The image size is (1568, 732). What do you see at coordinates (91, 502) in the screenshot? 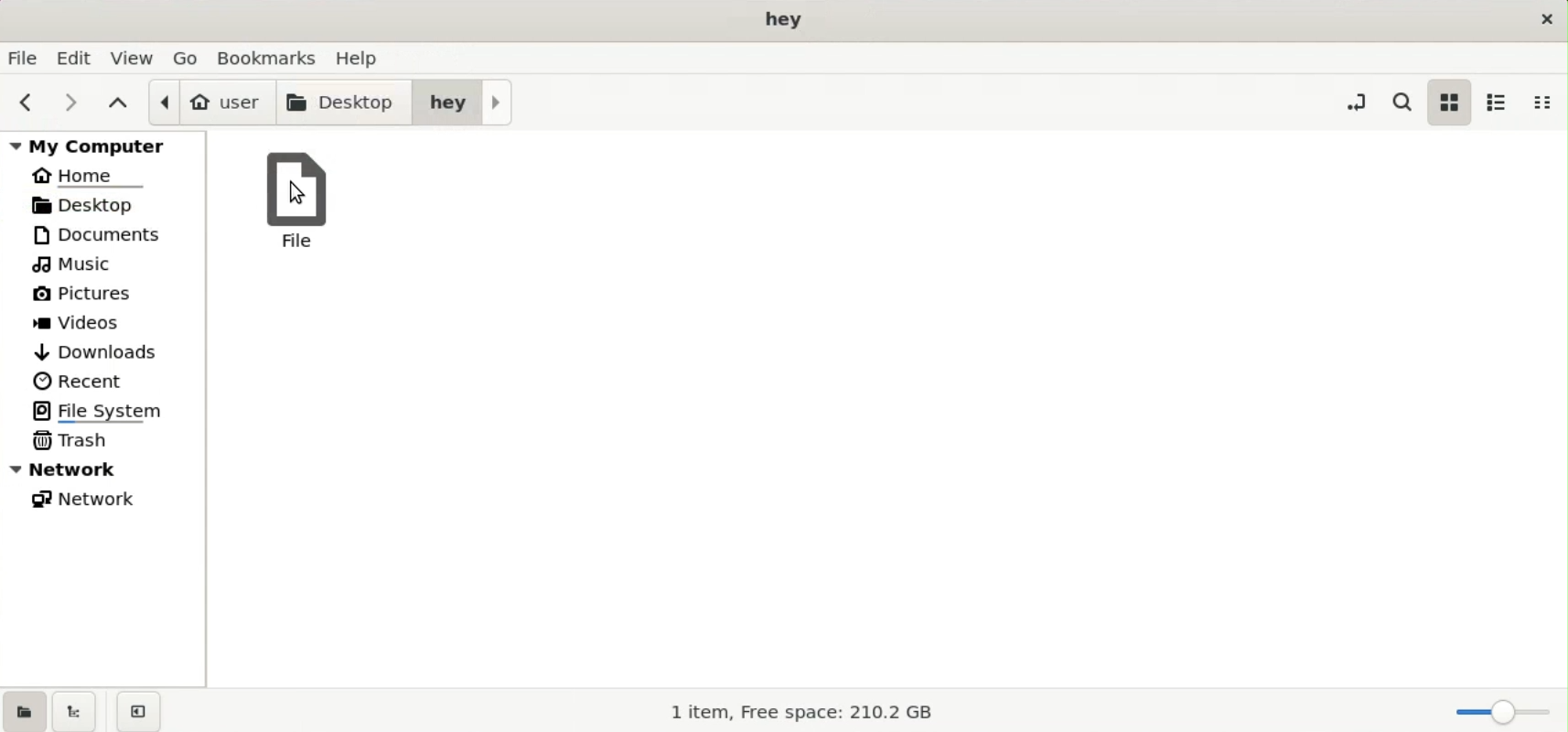
I see `network` at bounding box center [91, 502].